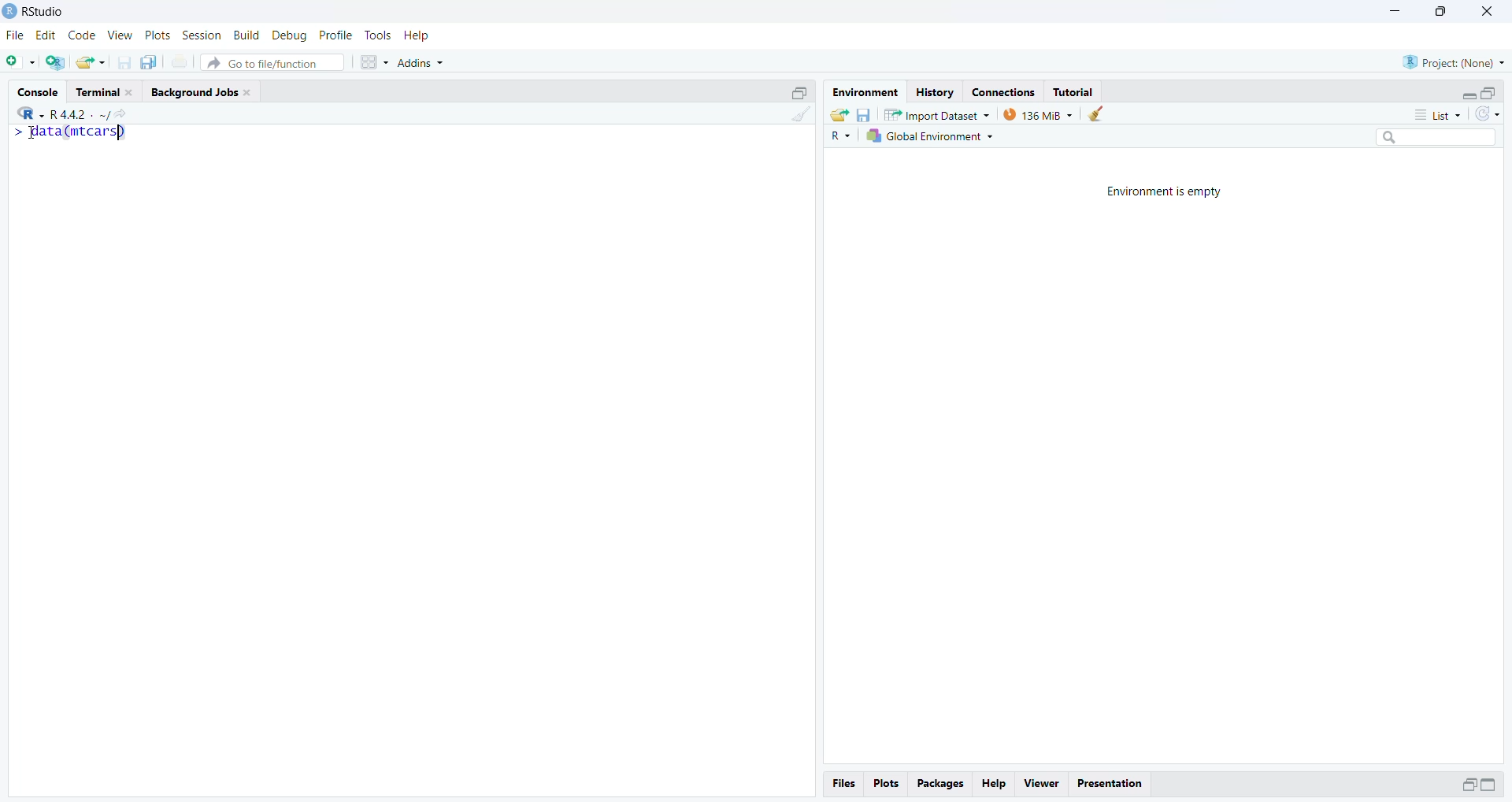 The image size is (1512, 802). What do you see at coordinates (106, 91) in the screenshot?
I see `Terminal` at bounding box center [106, 91].